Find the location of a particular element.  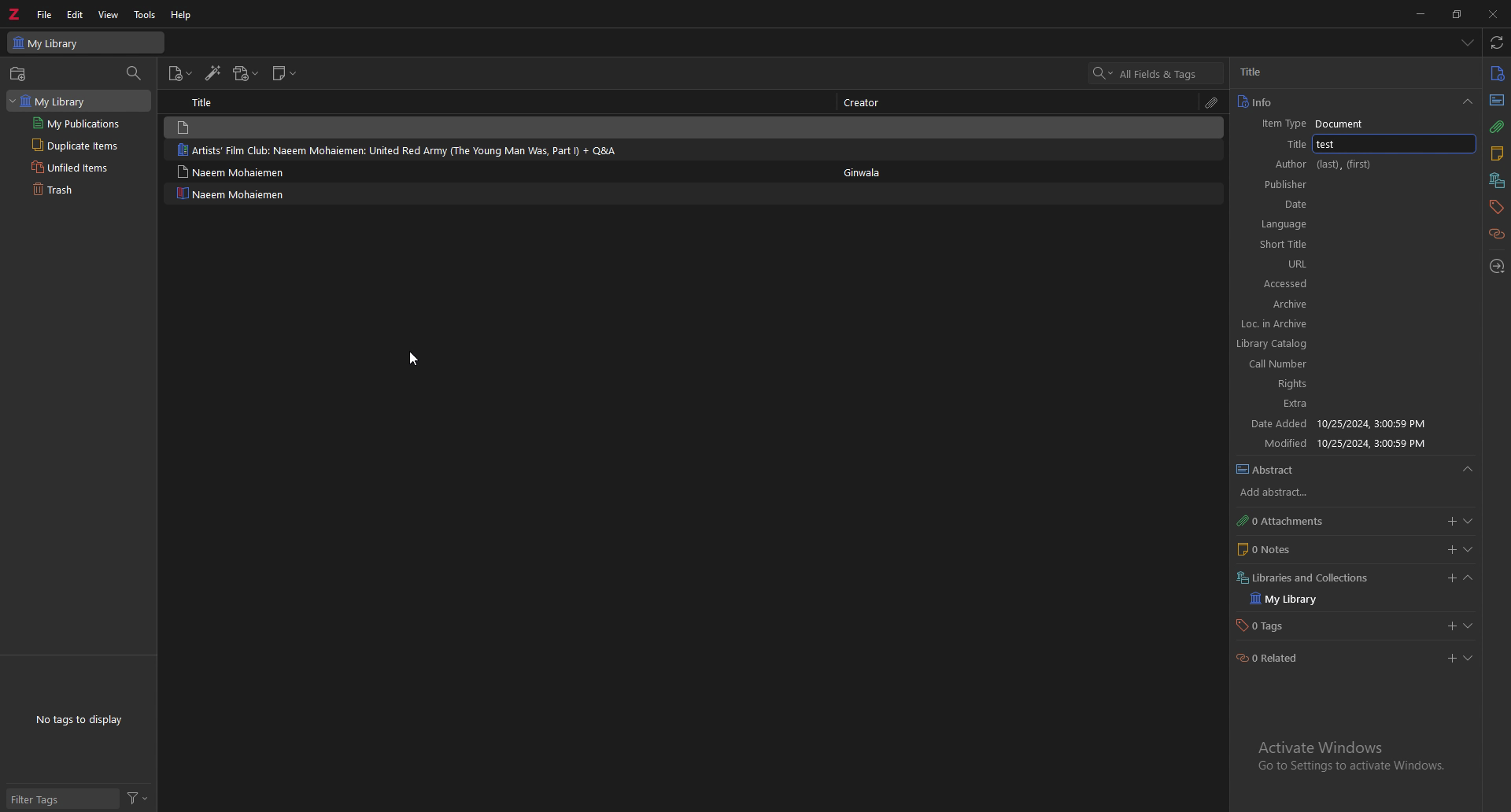

title is located at coordinates (207, 101).